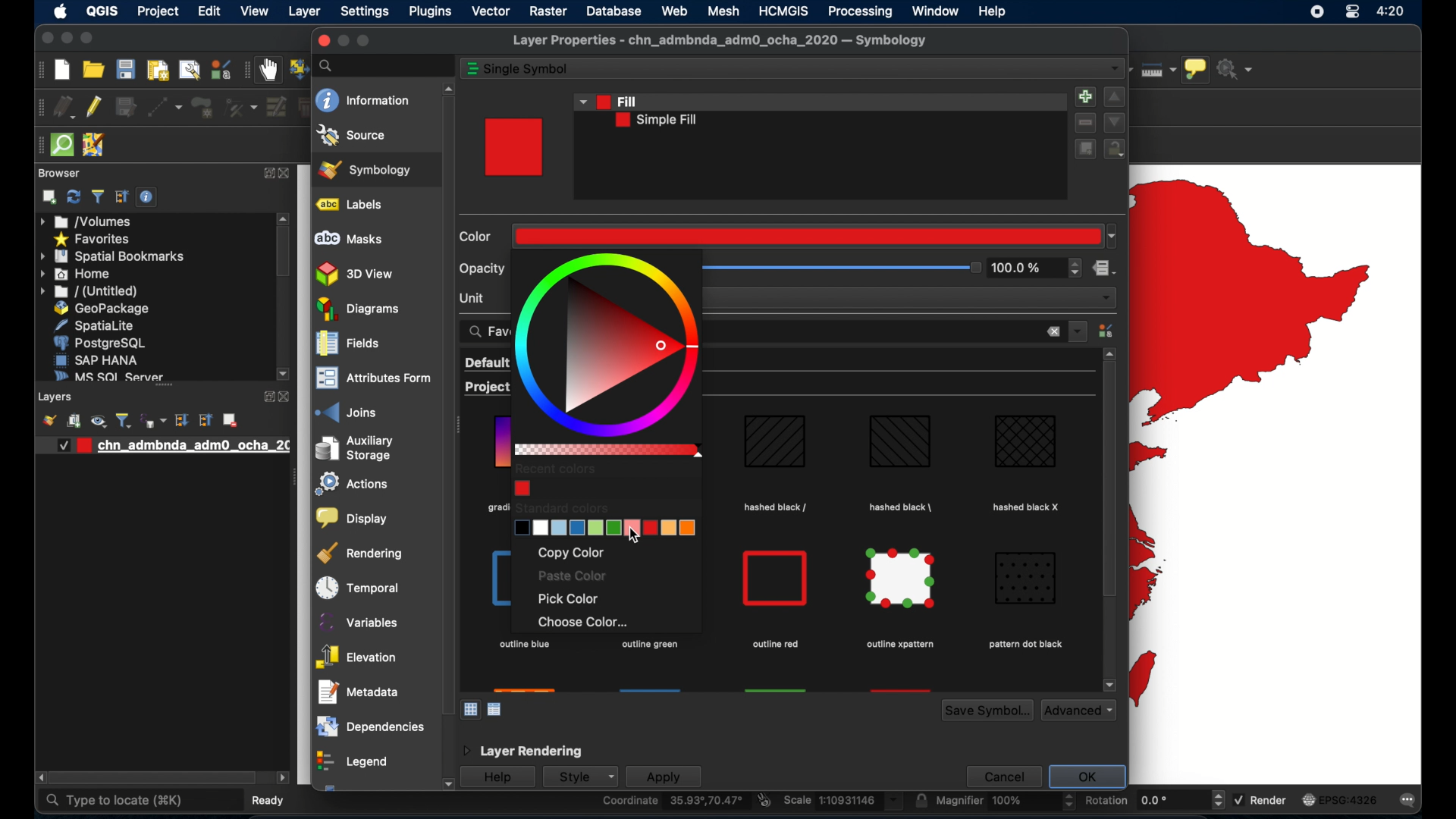 This screenshot has width=1456, height=819. I want to click on toggle editing, so click(95, 105).